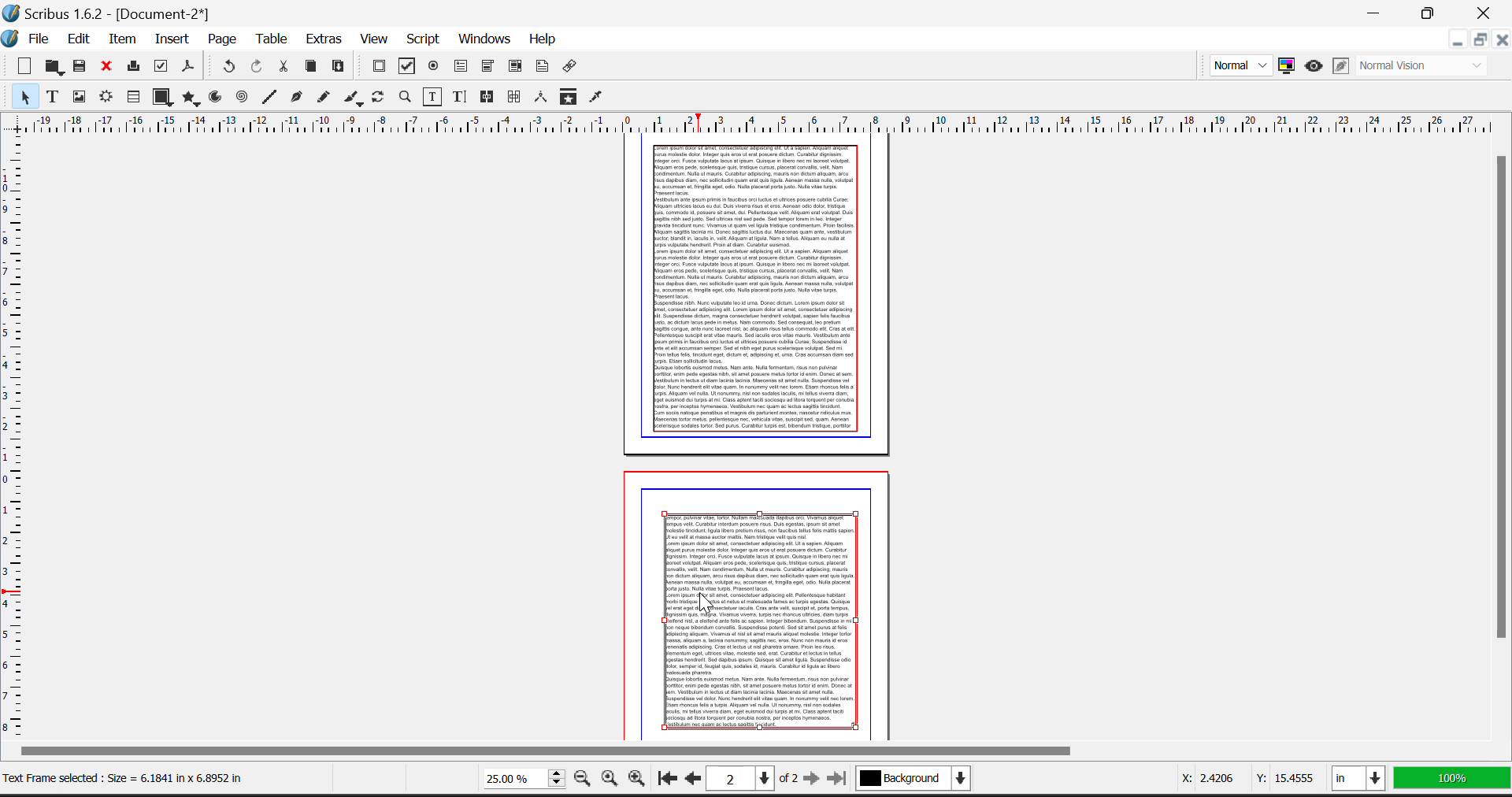 The height and width of the screenshot is (797, 1512). I want to click on Text Frame selected : Size = 6.1841 in X 6.8952 in, so click(134, 775).